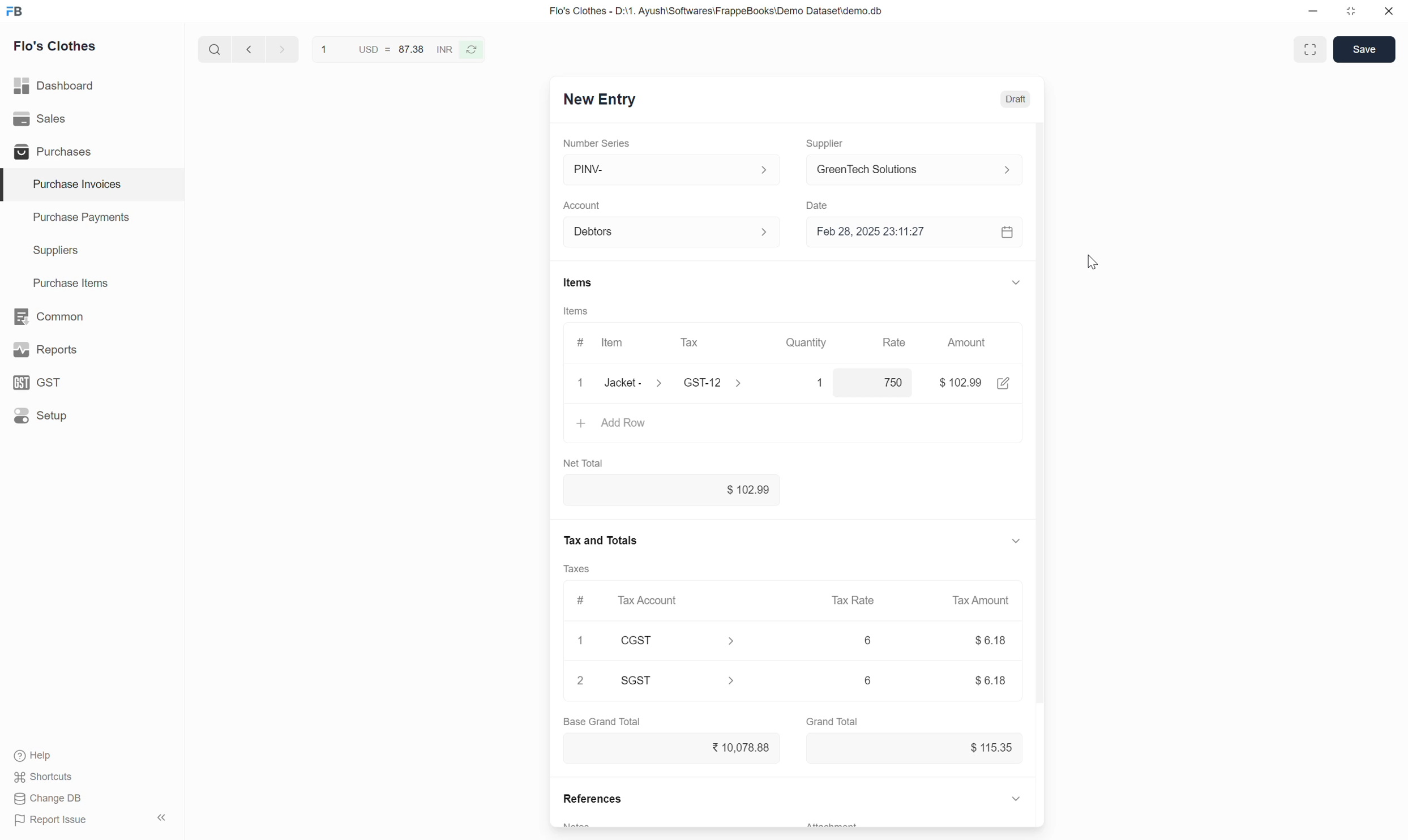  What do you see at coordinates (583, 206) in the screenshot?
I see `Account` at bounding box center [583, 206].